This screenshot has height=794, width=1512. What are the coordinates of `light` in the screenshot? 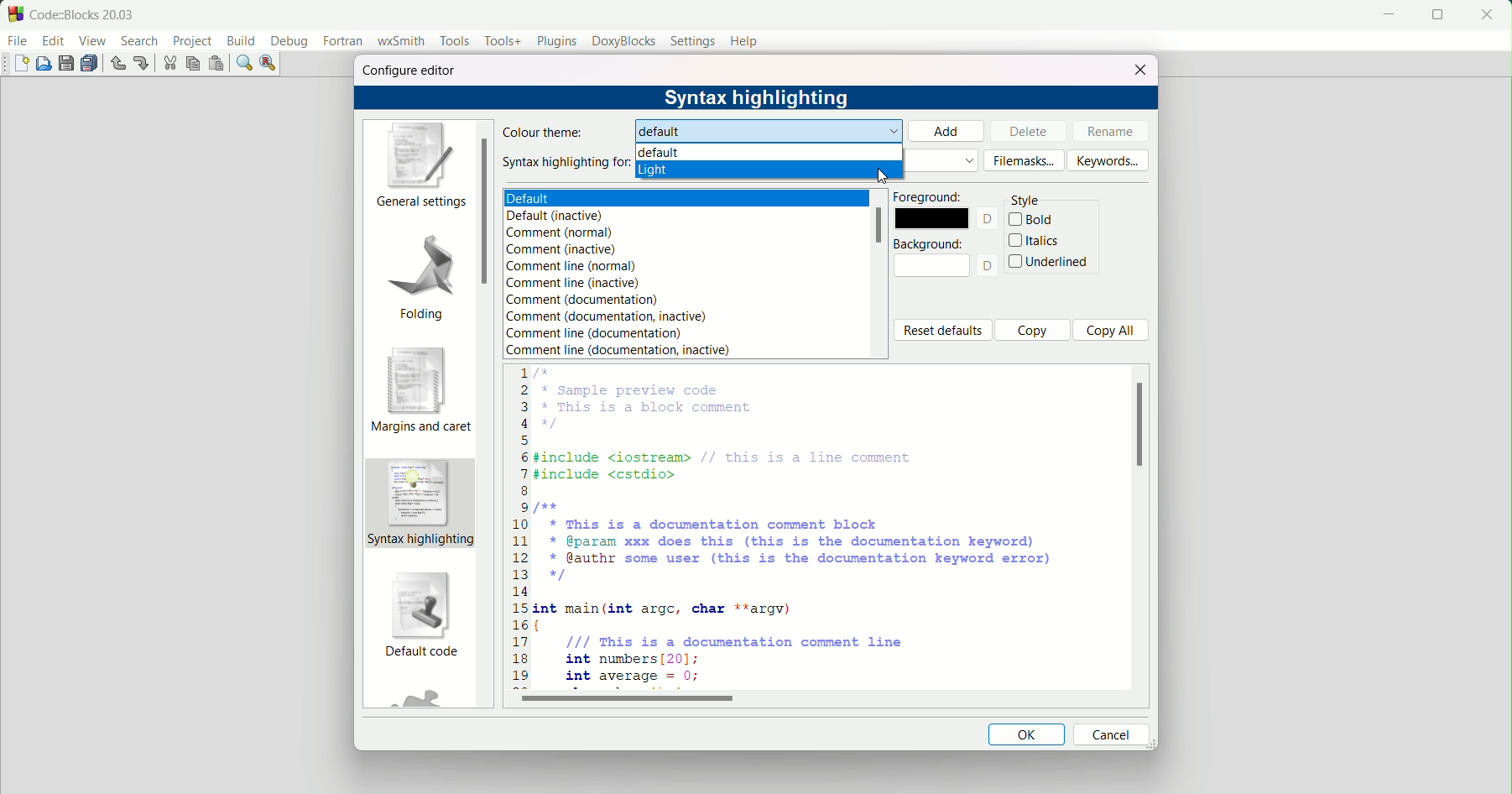 It's located at (771, 171).